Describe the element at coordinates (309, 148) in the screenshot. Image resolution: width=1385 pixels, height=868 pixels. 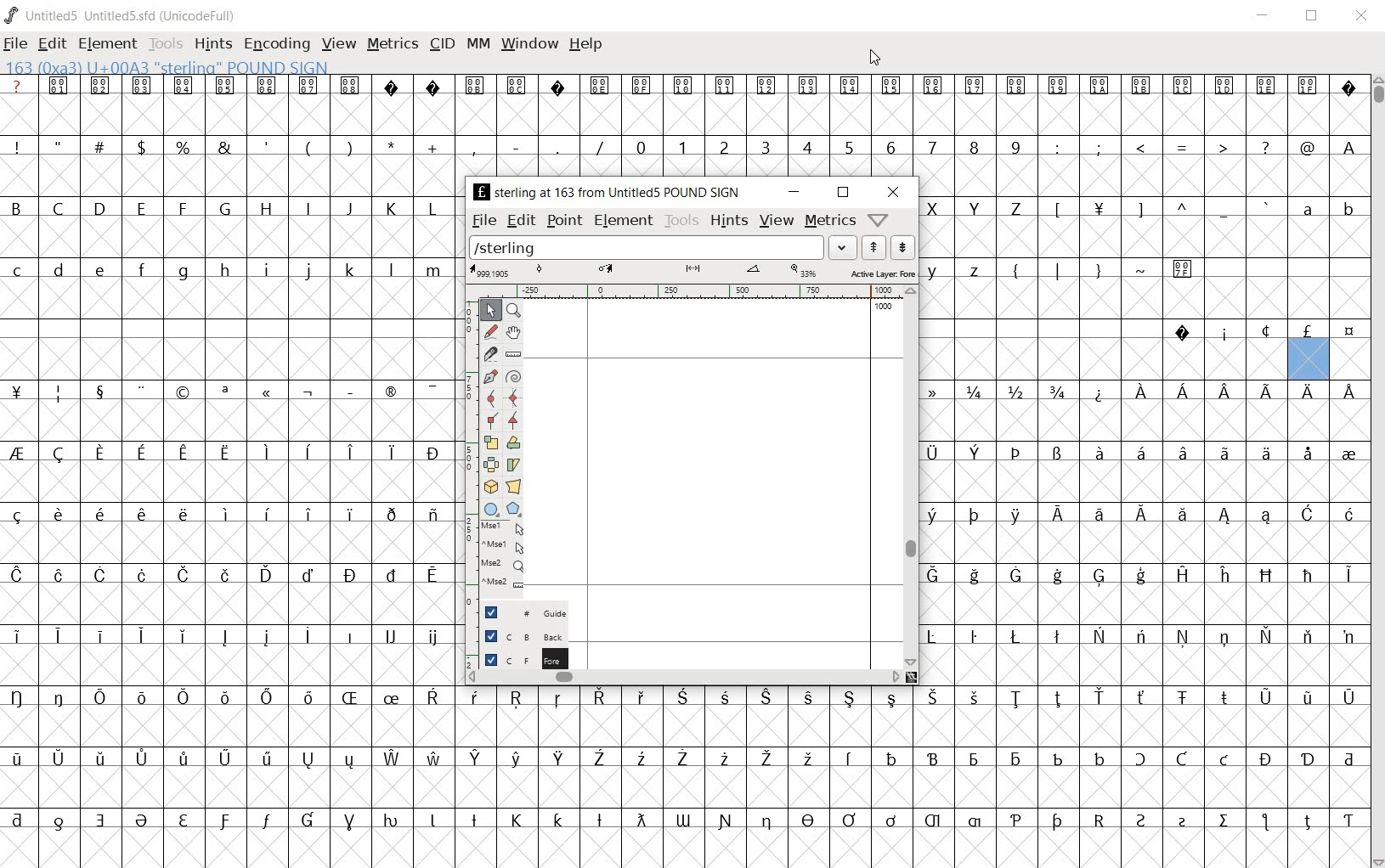
I see `(` at that location.